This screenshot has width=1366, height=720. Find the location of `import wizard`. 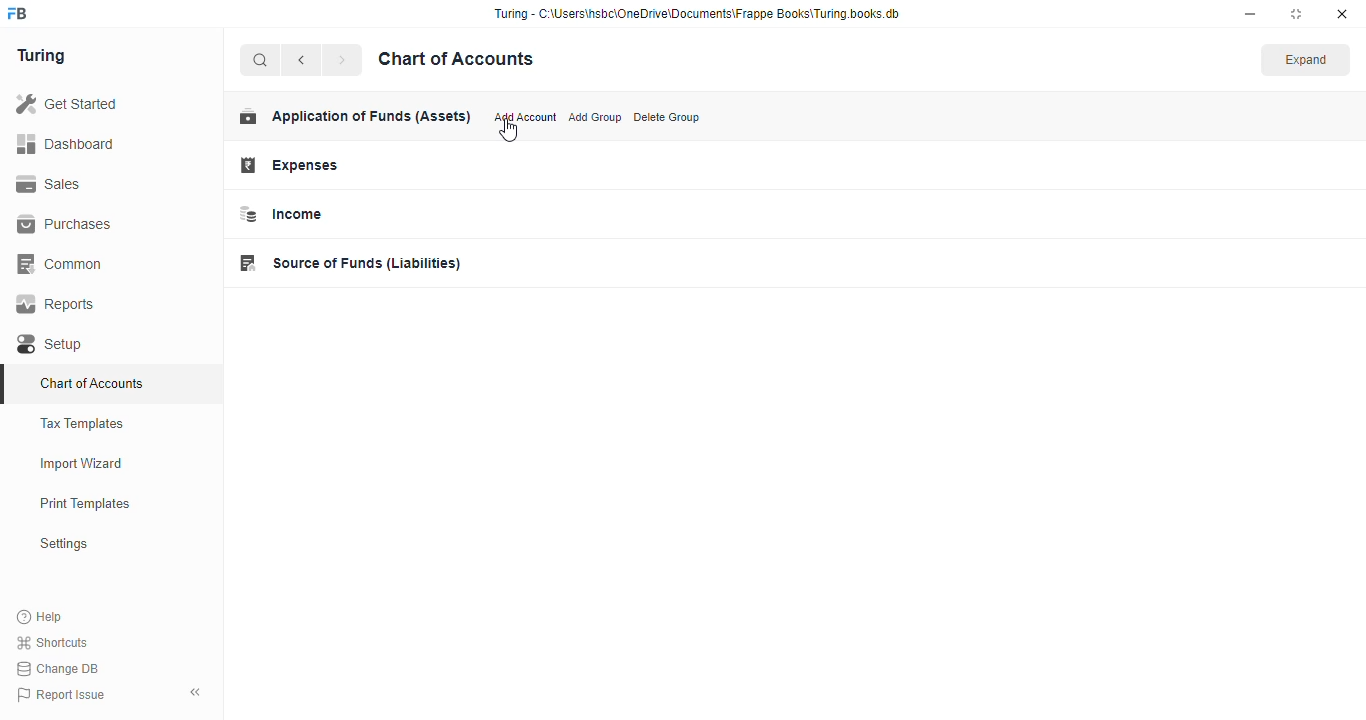

import wizard is located at coordinates (82, 464).